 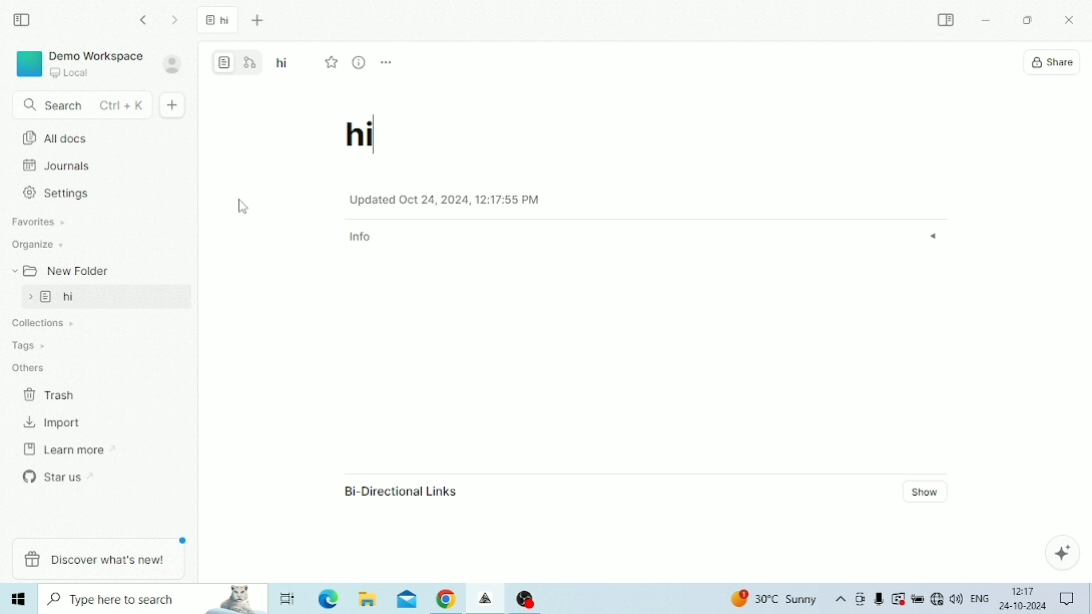 What do you see at coordinates (55, 394) in the screenshot?
I see `Trash` at bounding box center [55, 394].